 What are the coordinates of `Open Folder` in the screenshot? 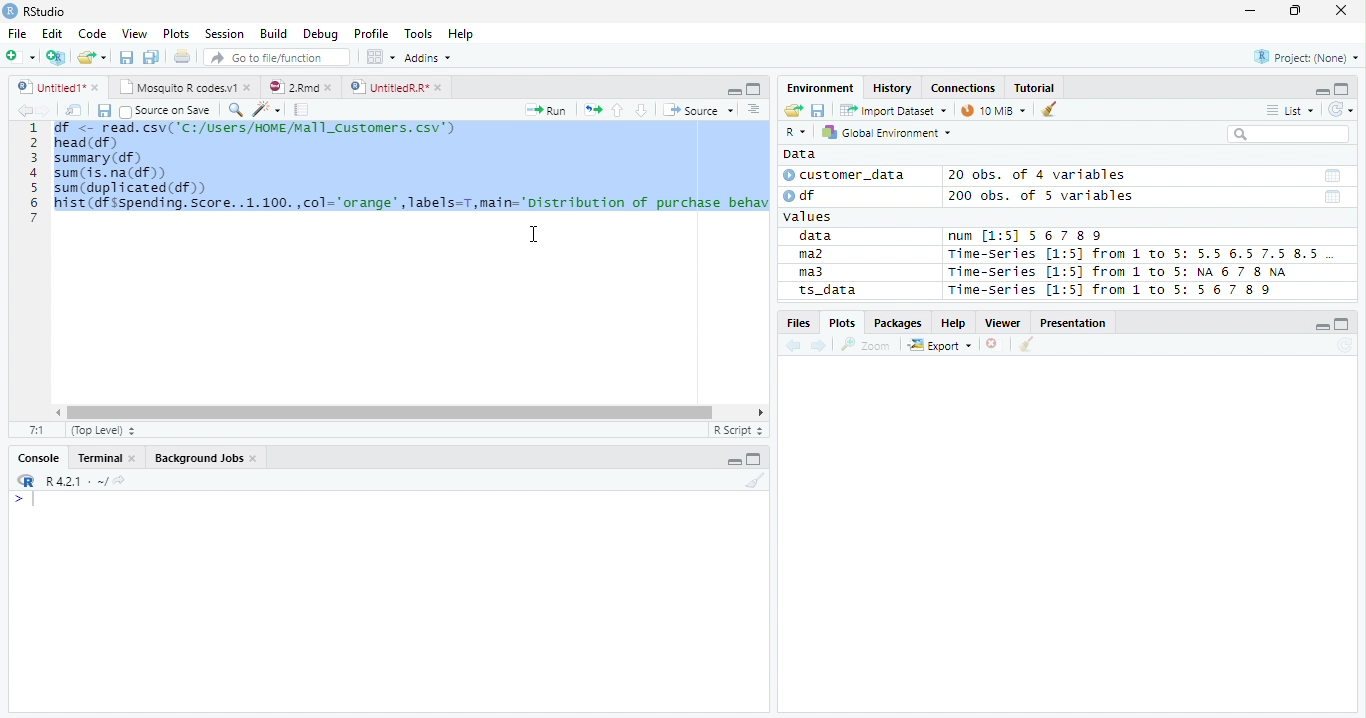 It's located at (93, 56).